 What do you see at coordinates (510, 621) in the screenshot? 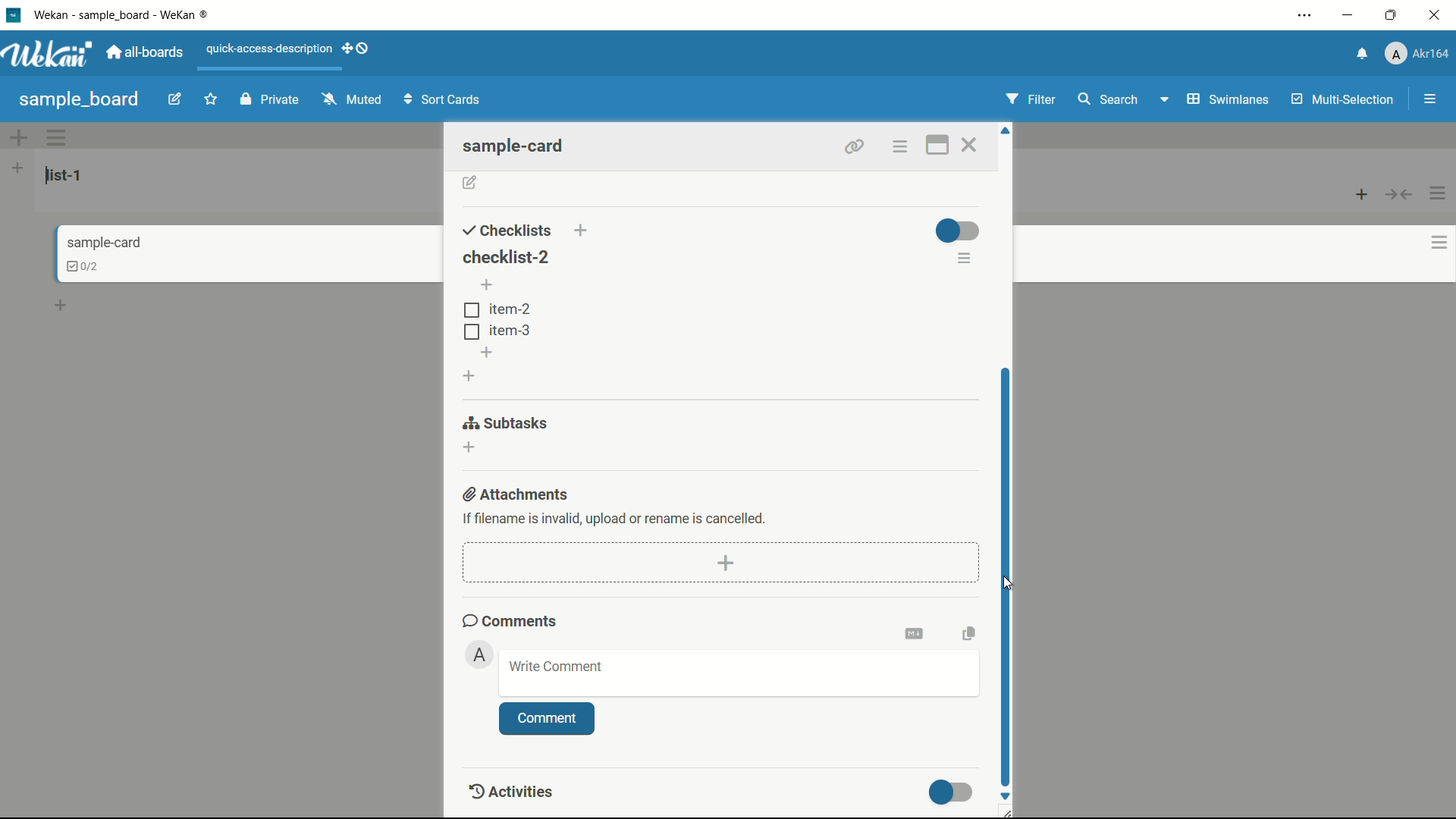
I see `comments` at bounding box center [510, 621].